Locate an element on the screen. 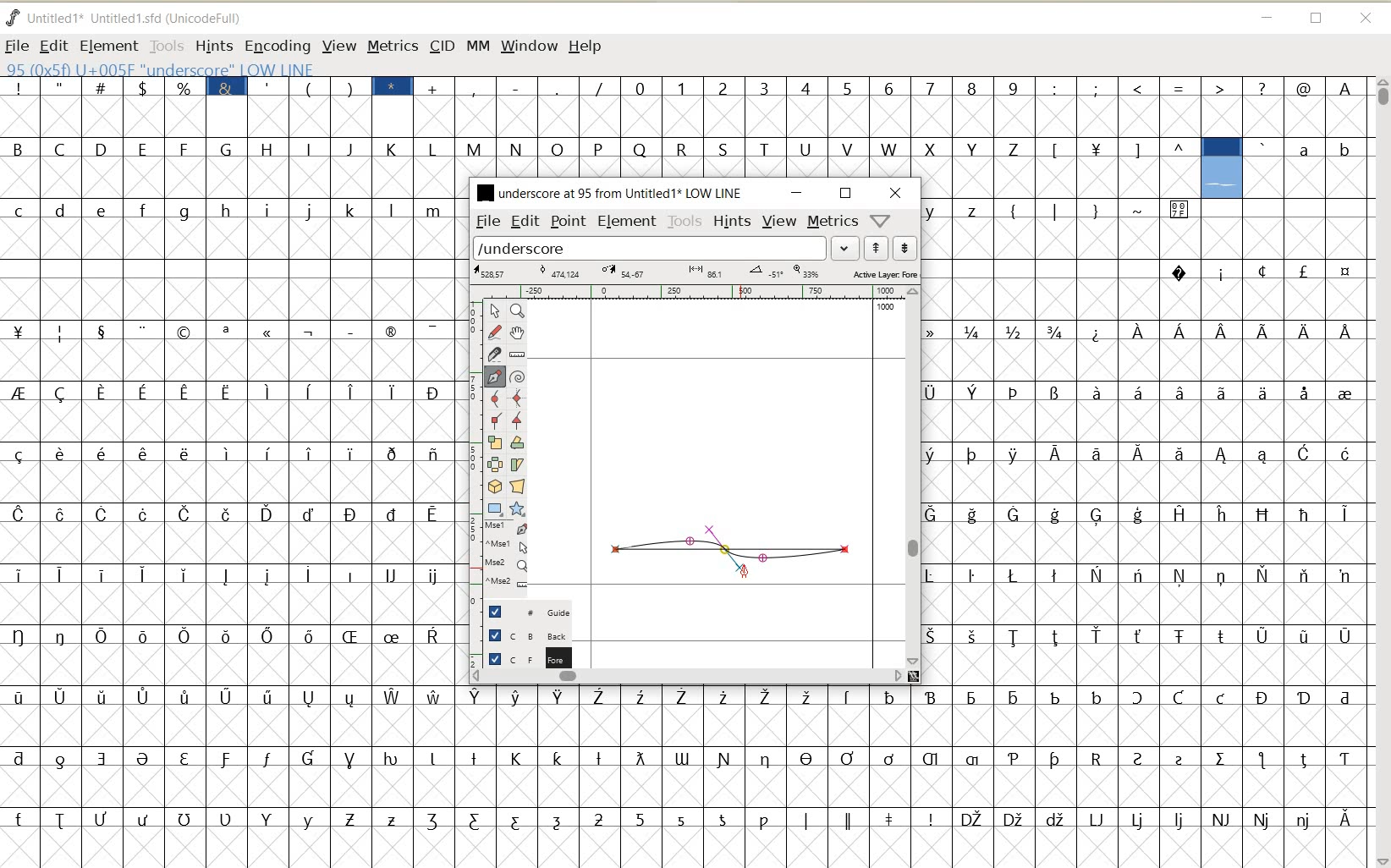 Image resolution: width=1391 pixels, height=868 pixels. GLYPHY INFO is located at coordinates (264, 68).